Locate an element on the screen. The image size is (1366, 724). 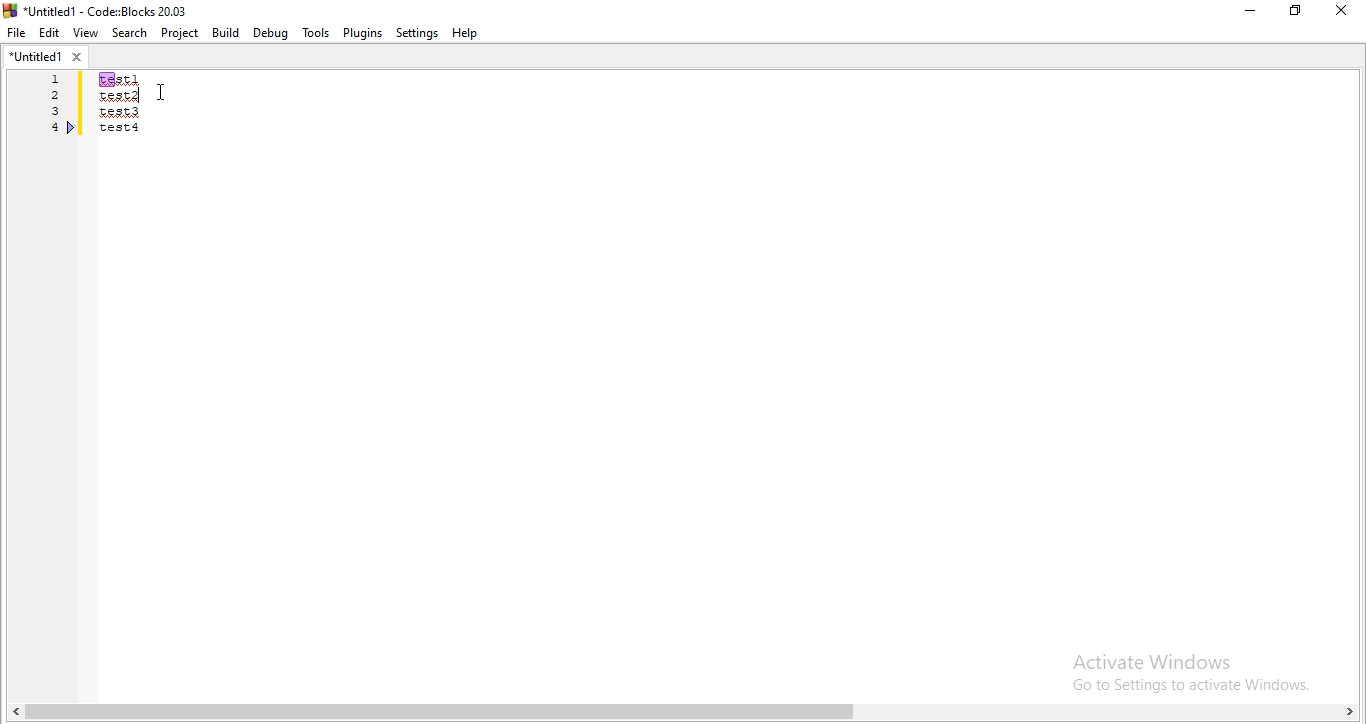
minimize is located at coordinates (1248, 12).